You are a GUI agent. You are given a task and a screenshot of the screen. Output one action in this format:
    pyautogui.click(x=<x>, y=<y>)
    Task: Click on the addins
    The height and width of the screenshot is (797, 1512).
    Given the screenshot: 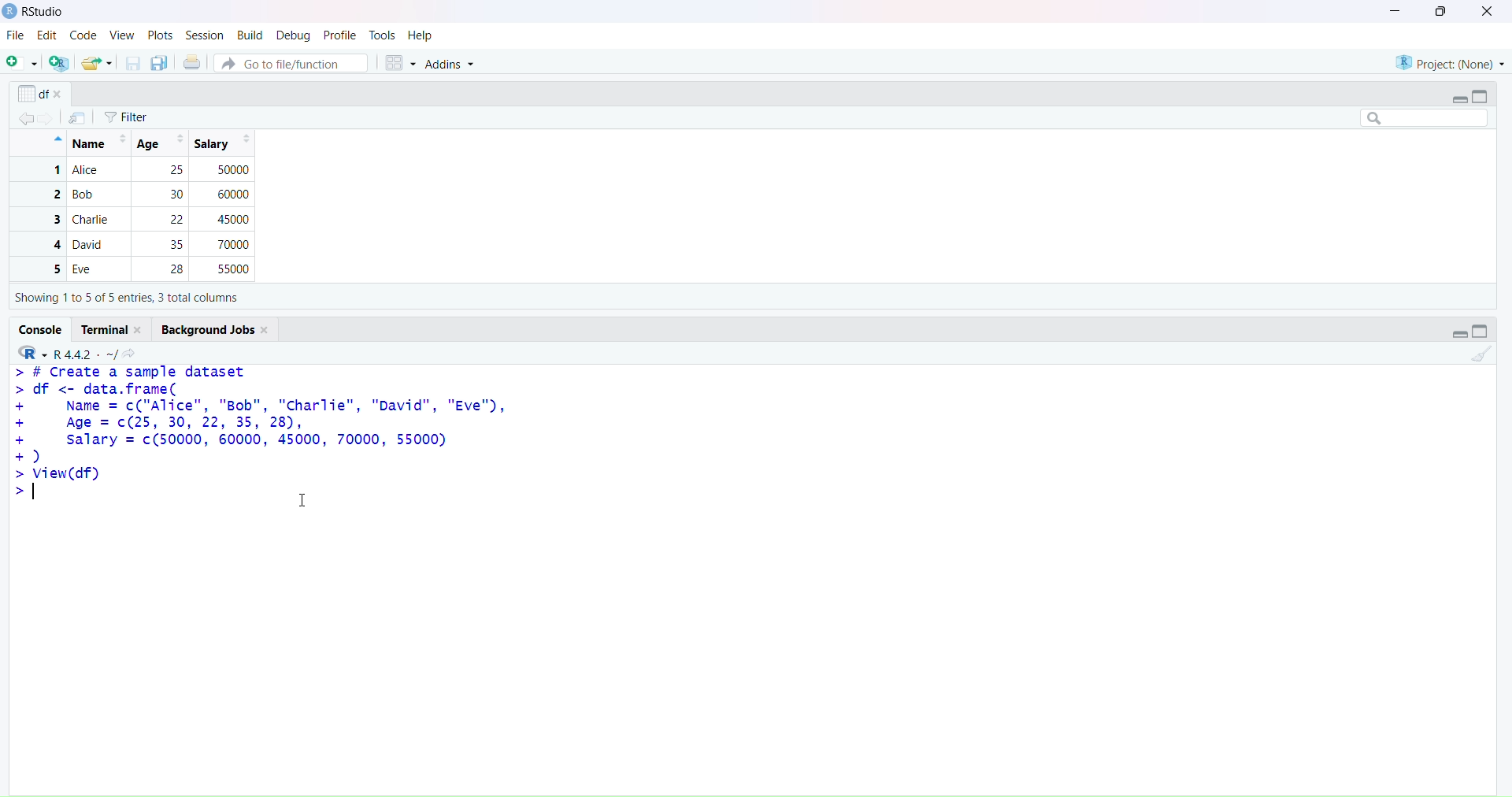 What is the action you would take?
    pyautogui.click(x=454, y=65)
    